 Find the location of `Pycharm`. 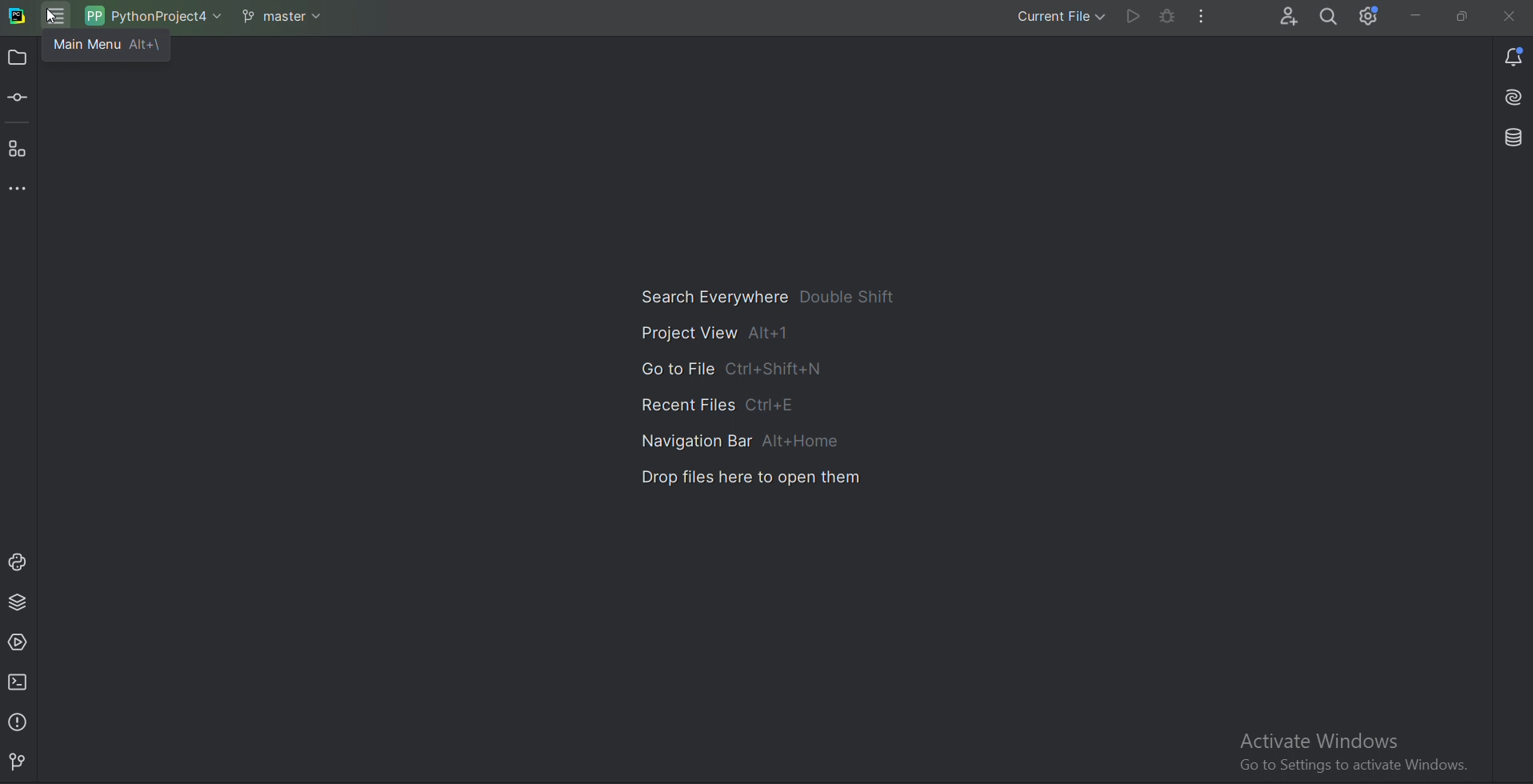

Pycharm is located at coordinates (18, 17).